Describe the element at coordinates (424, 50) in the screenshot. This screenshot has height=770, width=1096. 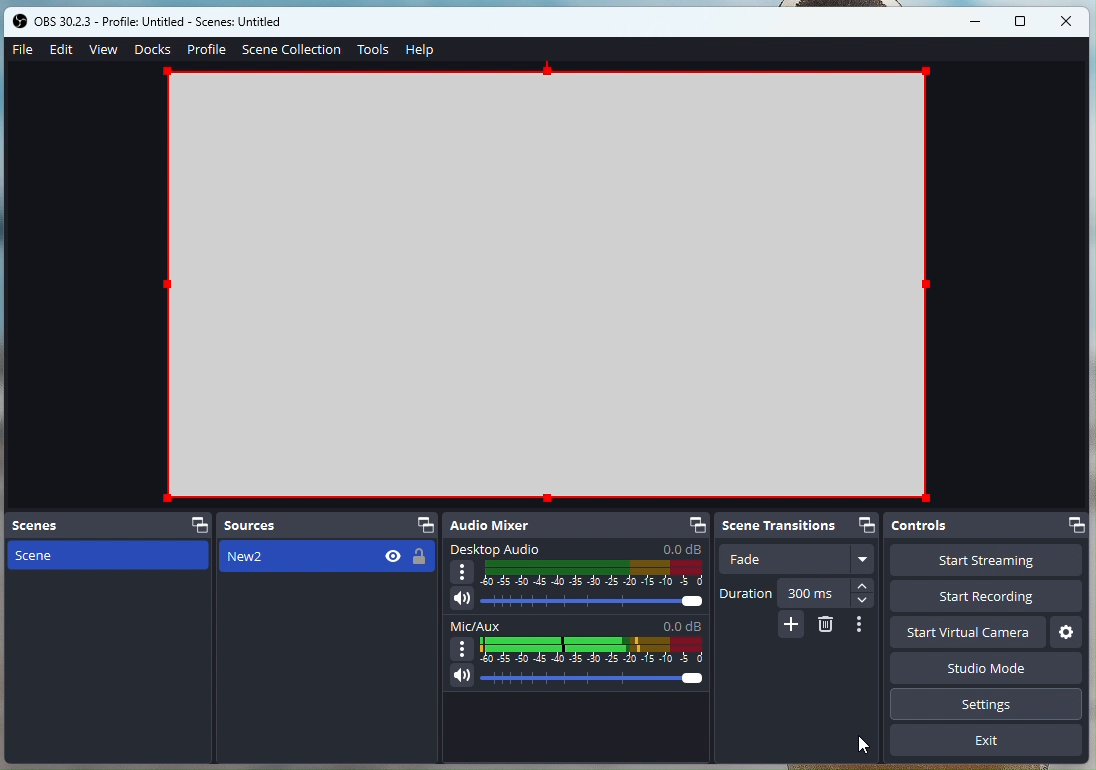
I see `Help` at that location.